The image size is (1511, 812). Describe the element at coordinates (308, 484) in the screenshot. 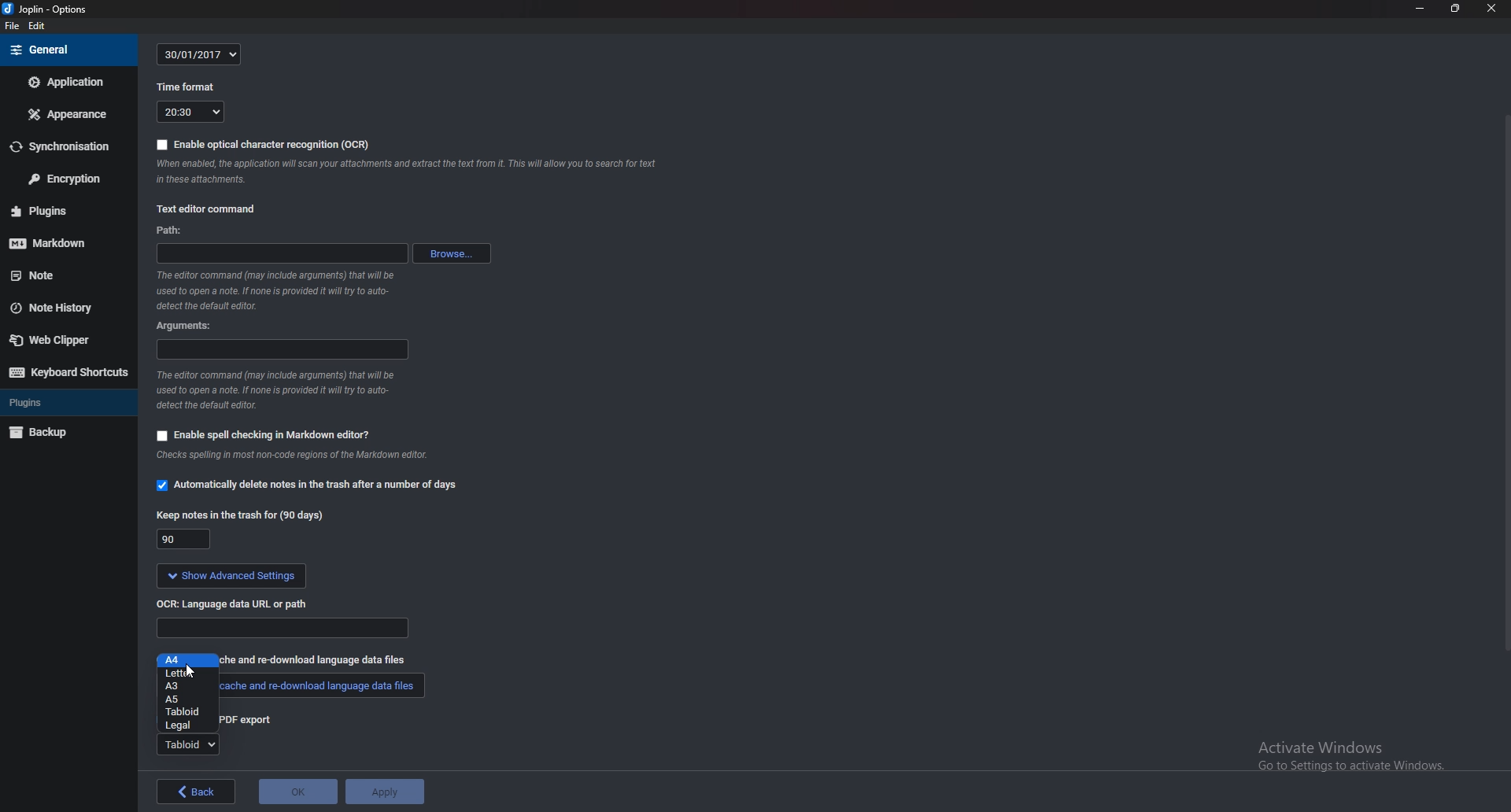

I see `automatically delete notes in the trash option` at that location.